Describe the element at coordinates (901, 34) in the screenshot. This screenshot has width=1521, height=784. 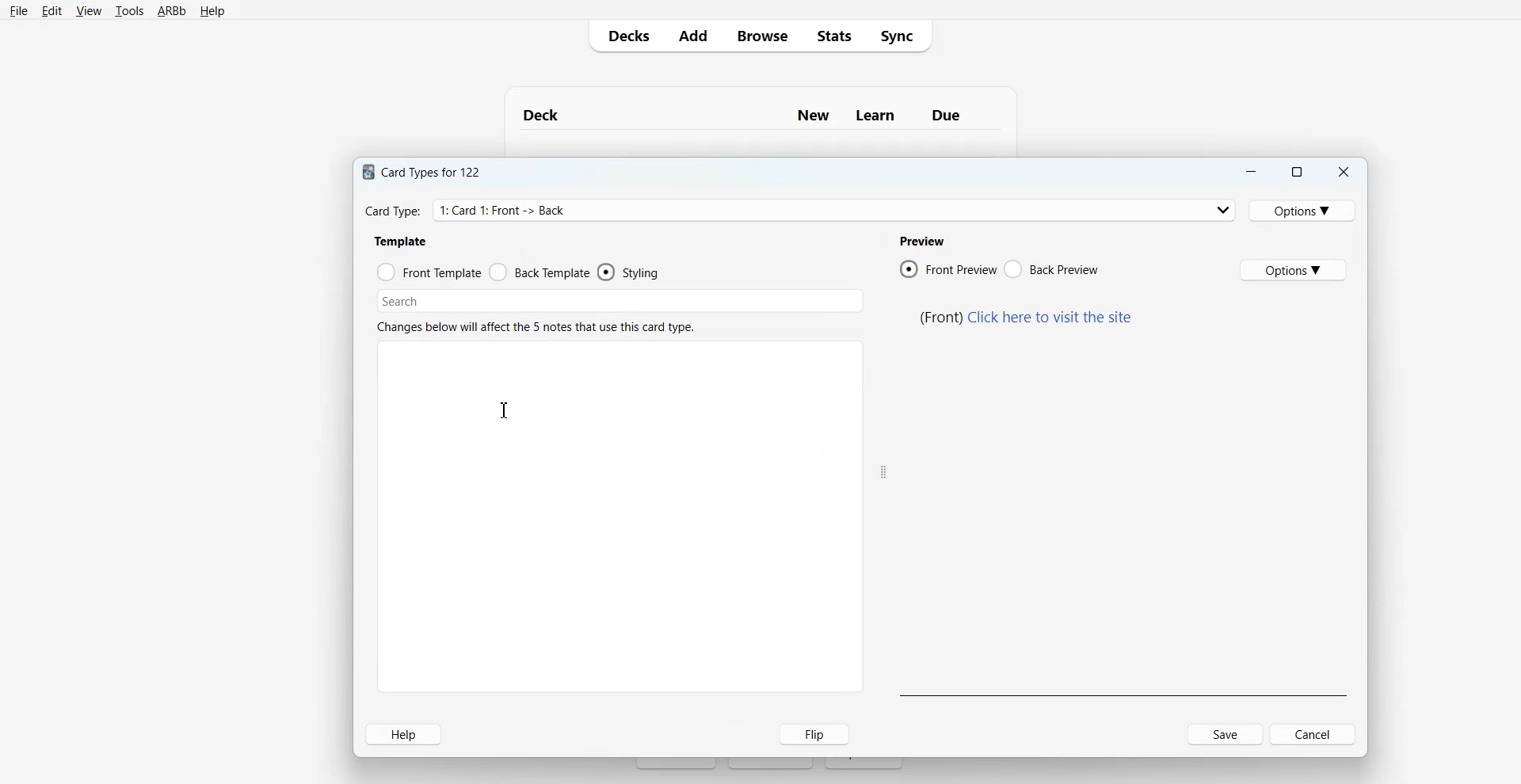
I see `Sync` at that location.